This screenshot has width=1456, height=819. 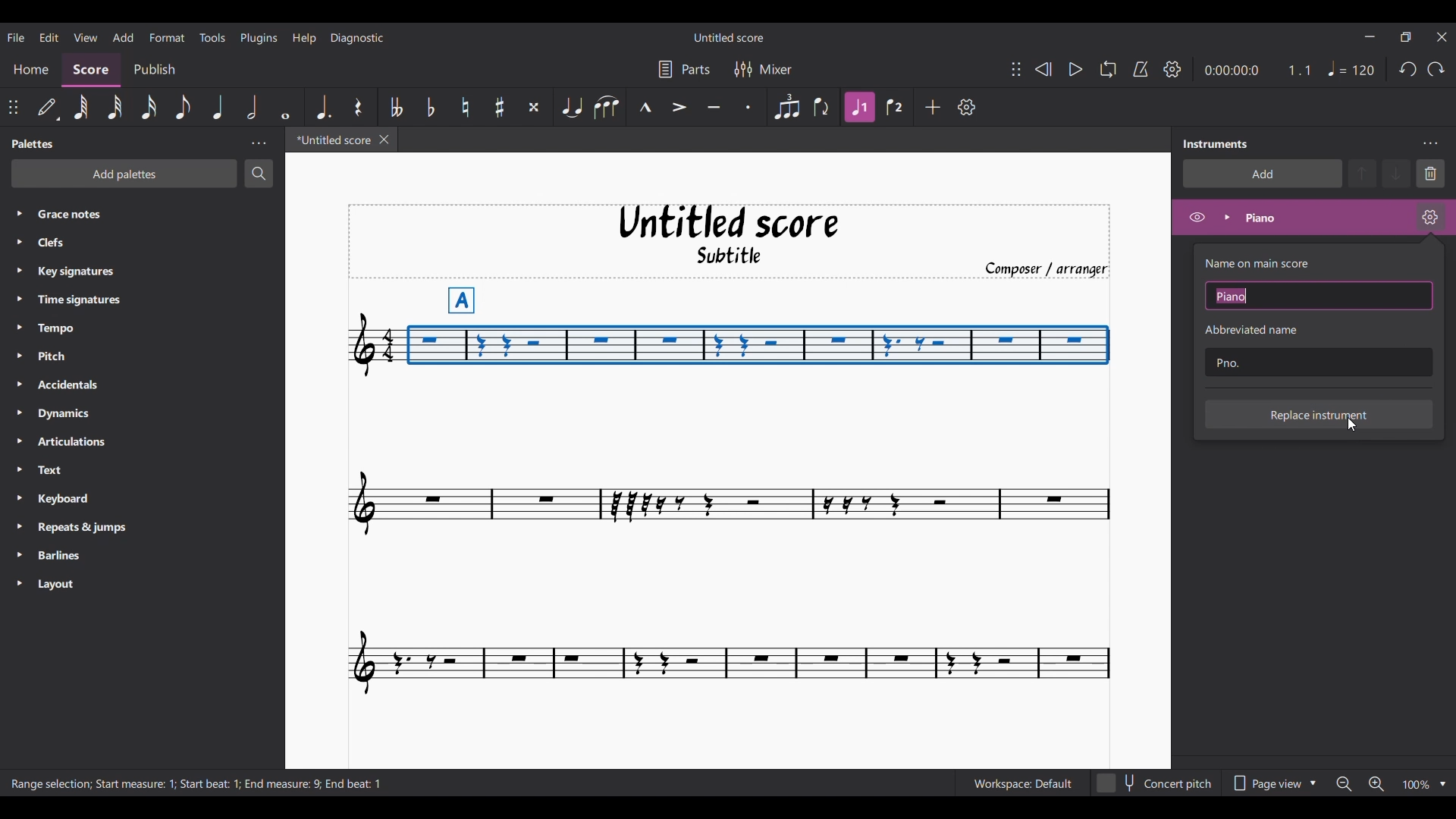 I want to click on Composer/arranger, so click(x=1045, y=268).